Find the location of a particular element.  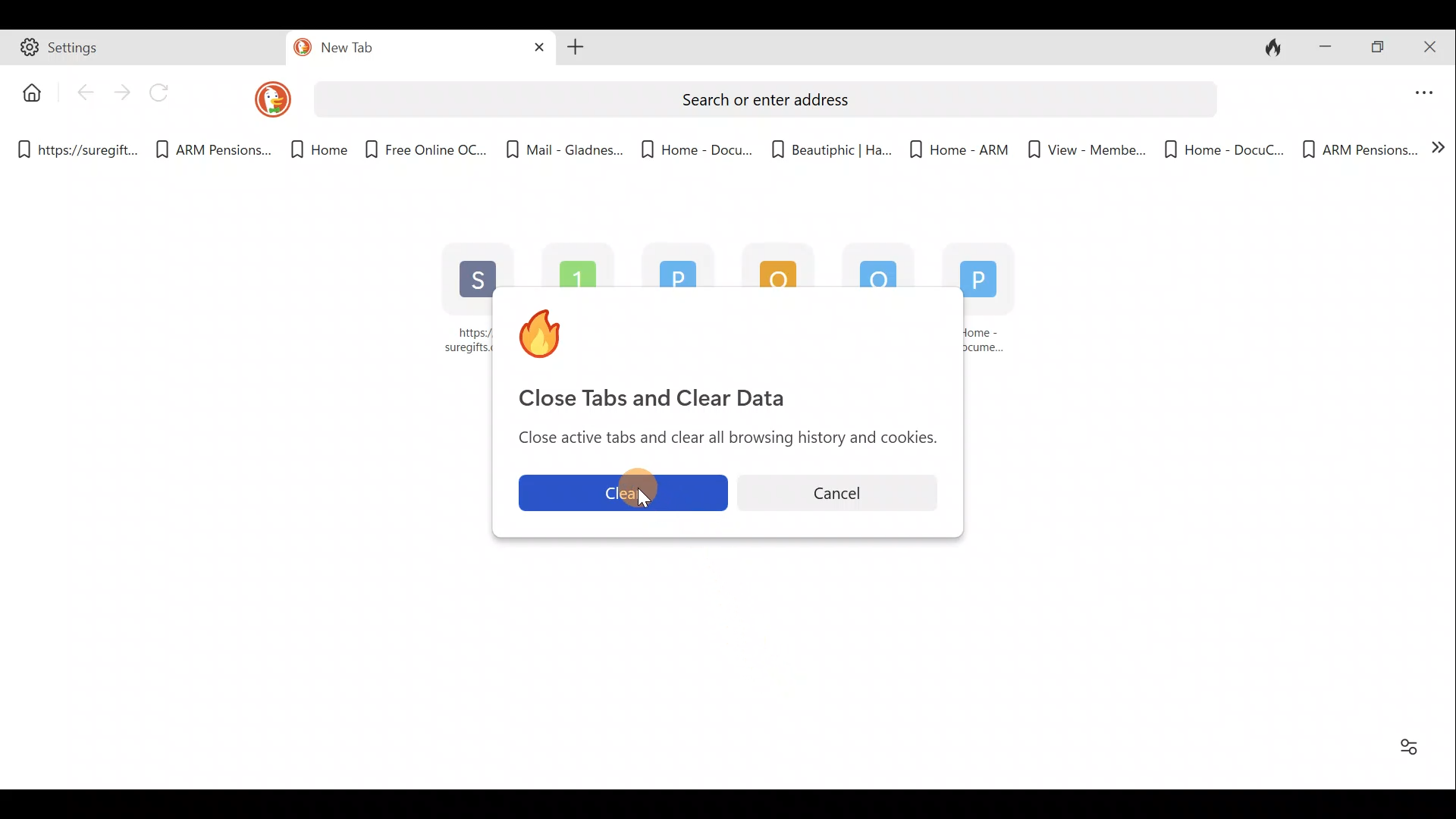

Cursor is located at coordinates (627, 498).